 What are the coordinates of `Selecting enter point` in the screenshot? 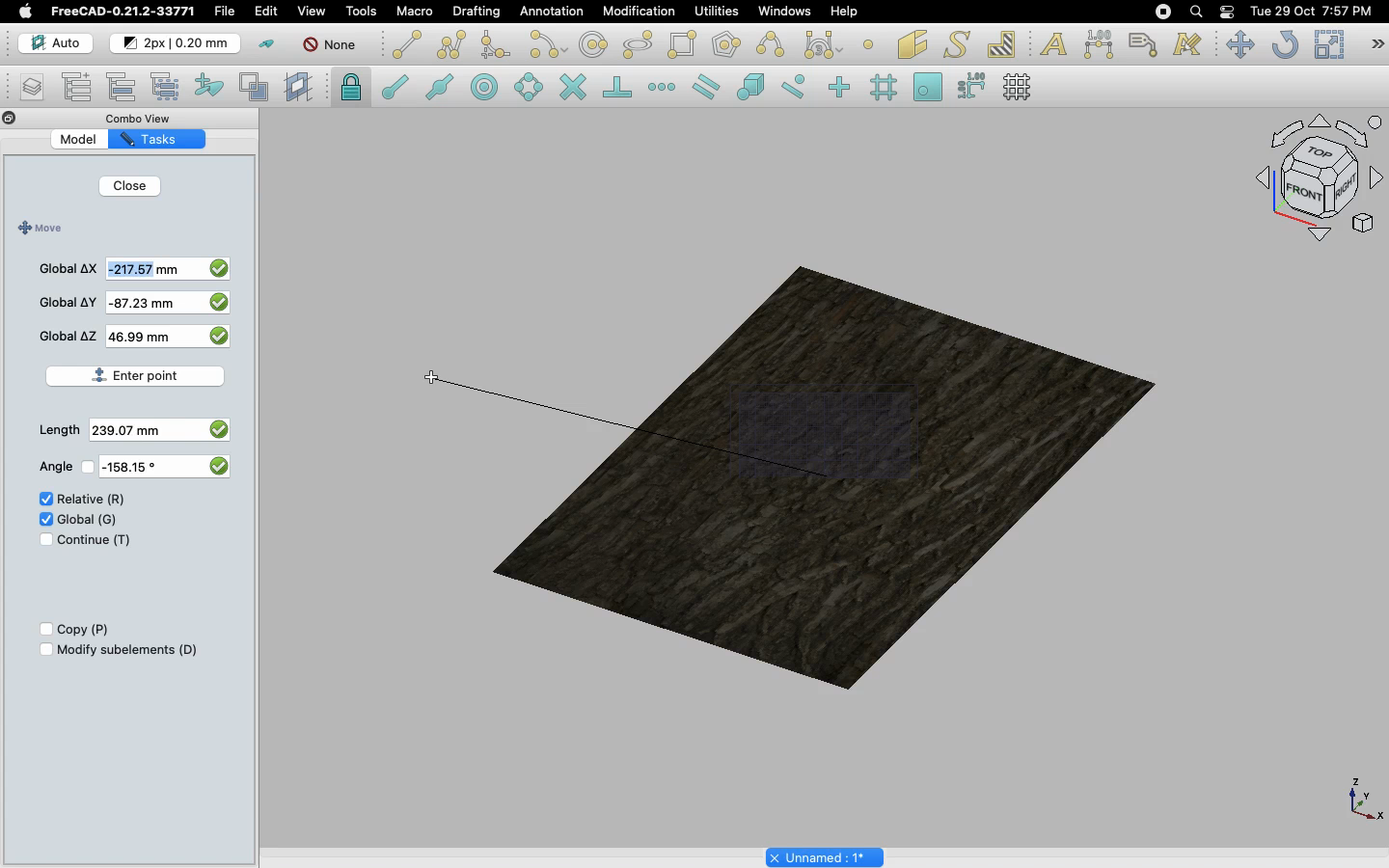 It's located at (138, 376).